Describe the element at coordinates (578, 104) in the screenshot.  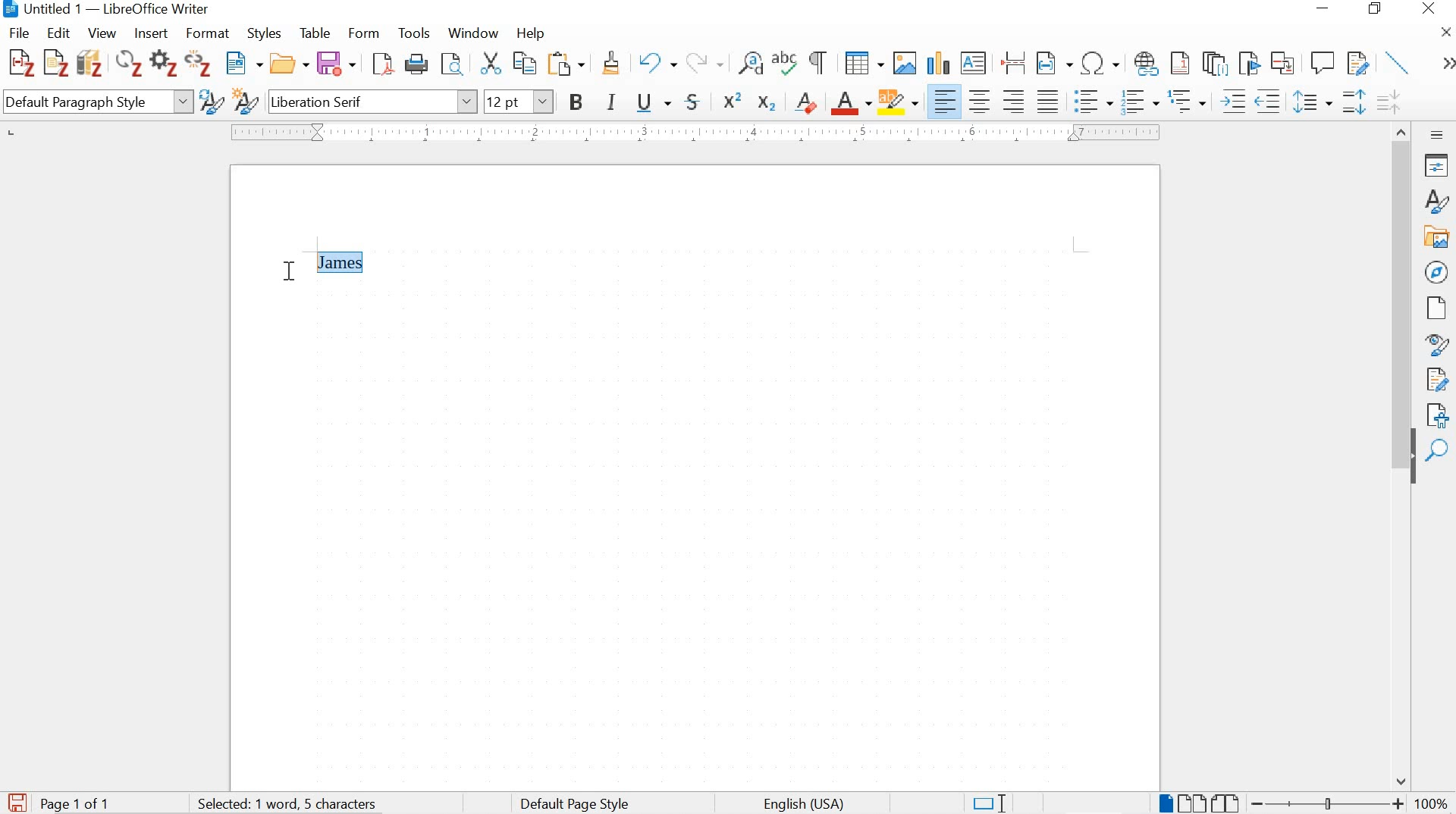
I see `bold` at that location.